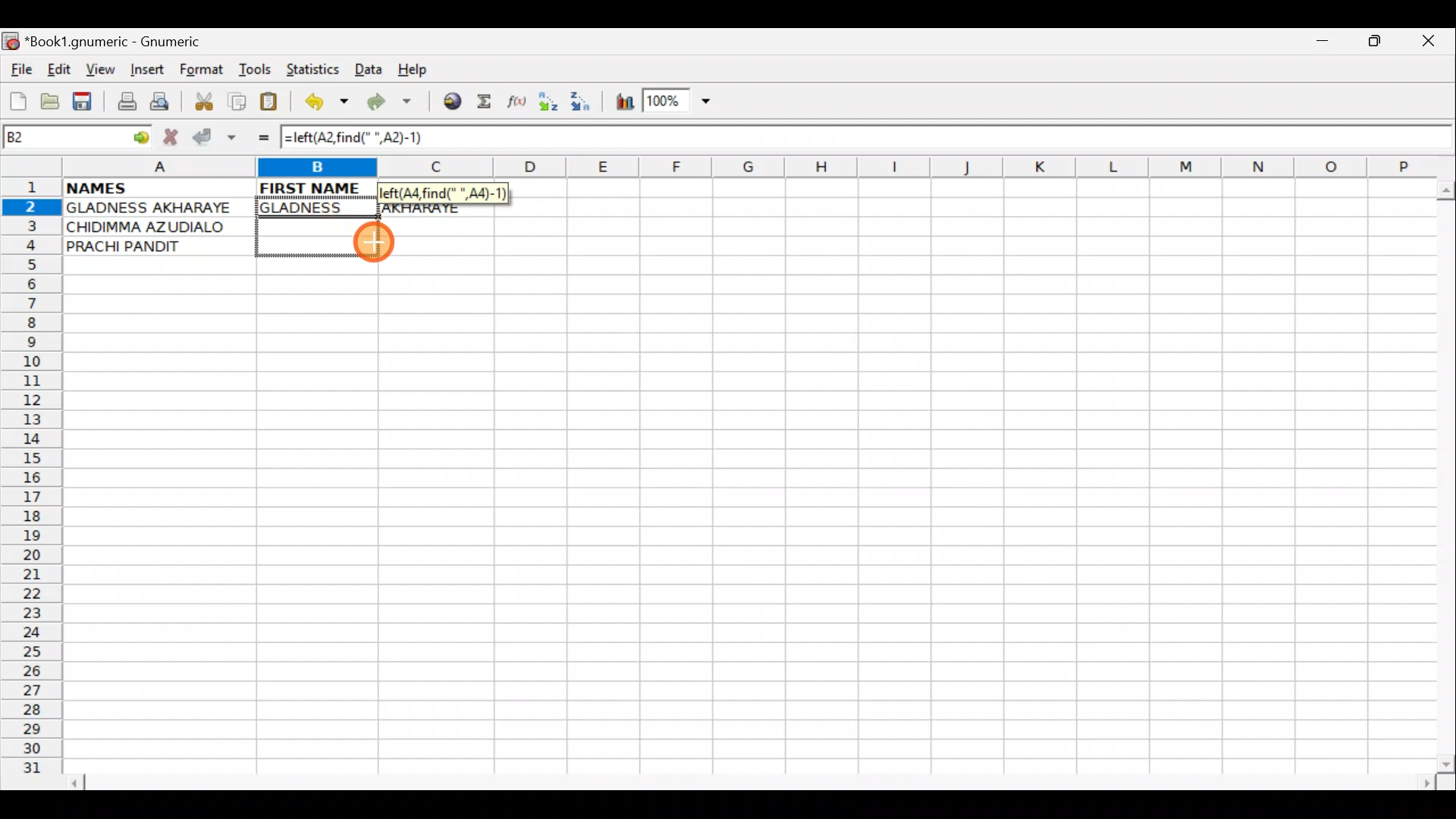 The height and width of the screenshot is (819, 1456). I want to click on Close, so click(1432, 45).